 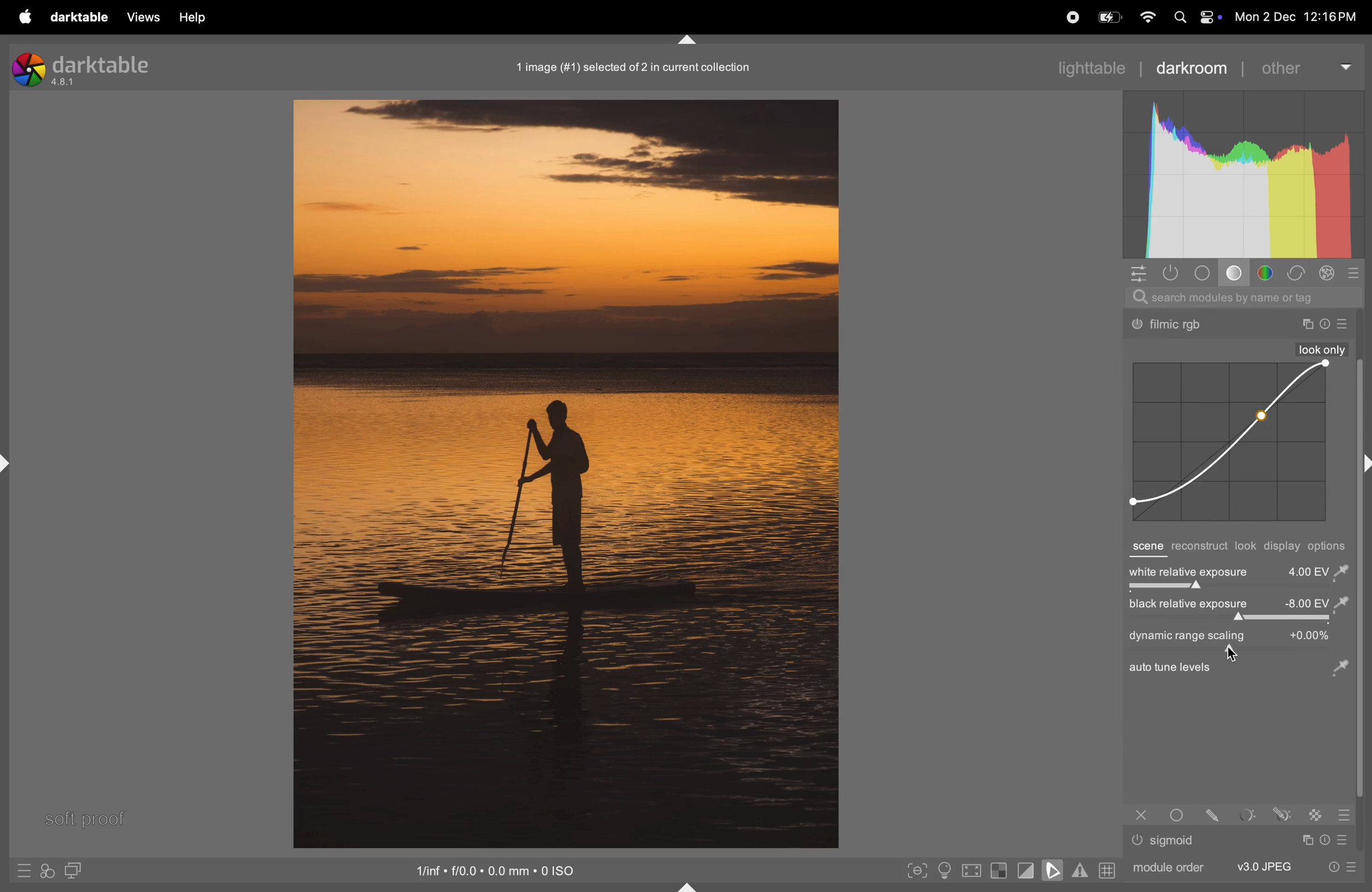 What do you see at coordinates (1238, 570) in the screenshot?
I see `white exposure` at bounding box center [1238, 570].